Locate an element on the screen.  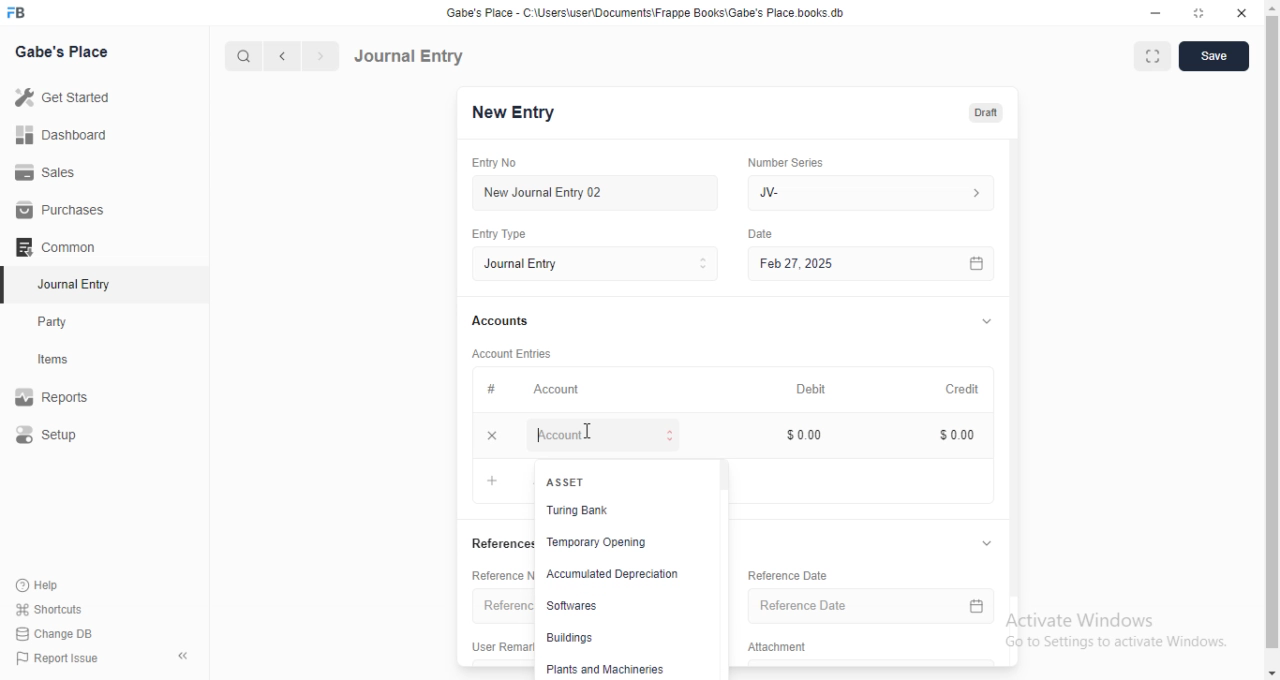
# is located at coordinates (499, 388).